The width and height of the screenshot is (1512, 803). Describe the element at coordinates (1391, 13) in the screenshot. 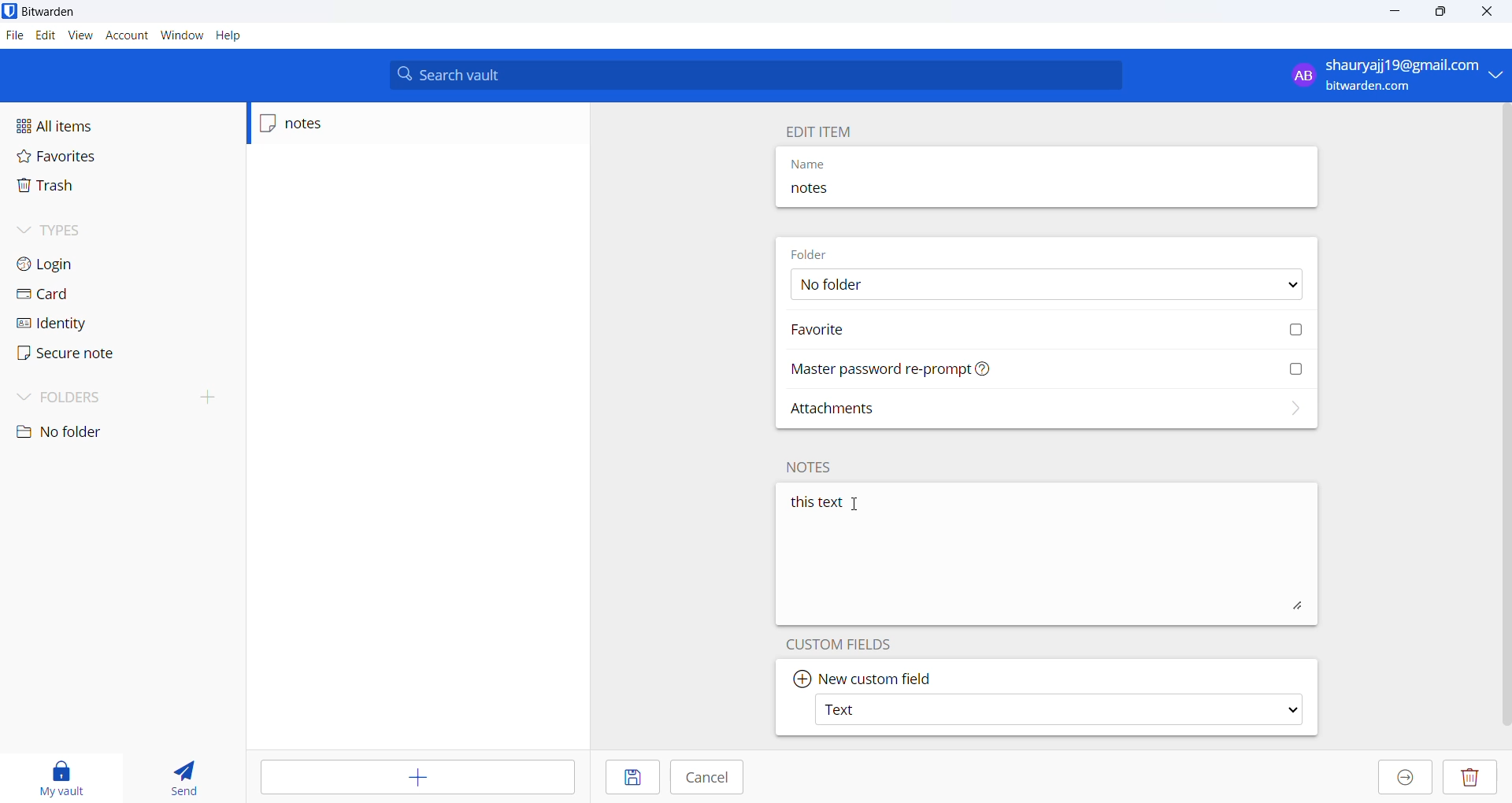

I see `minimize` at that location.